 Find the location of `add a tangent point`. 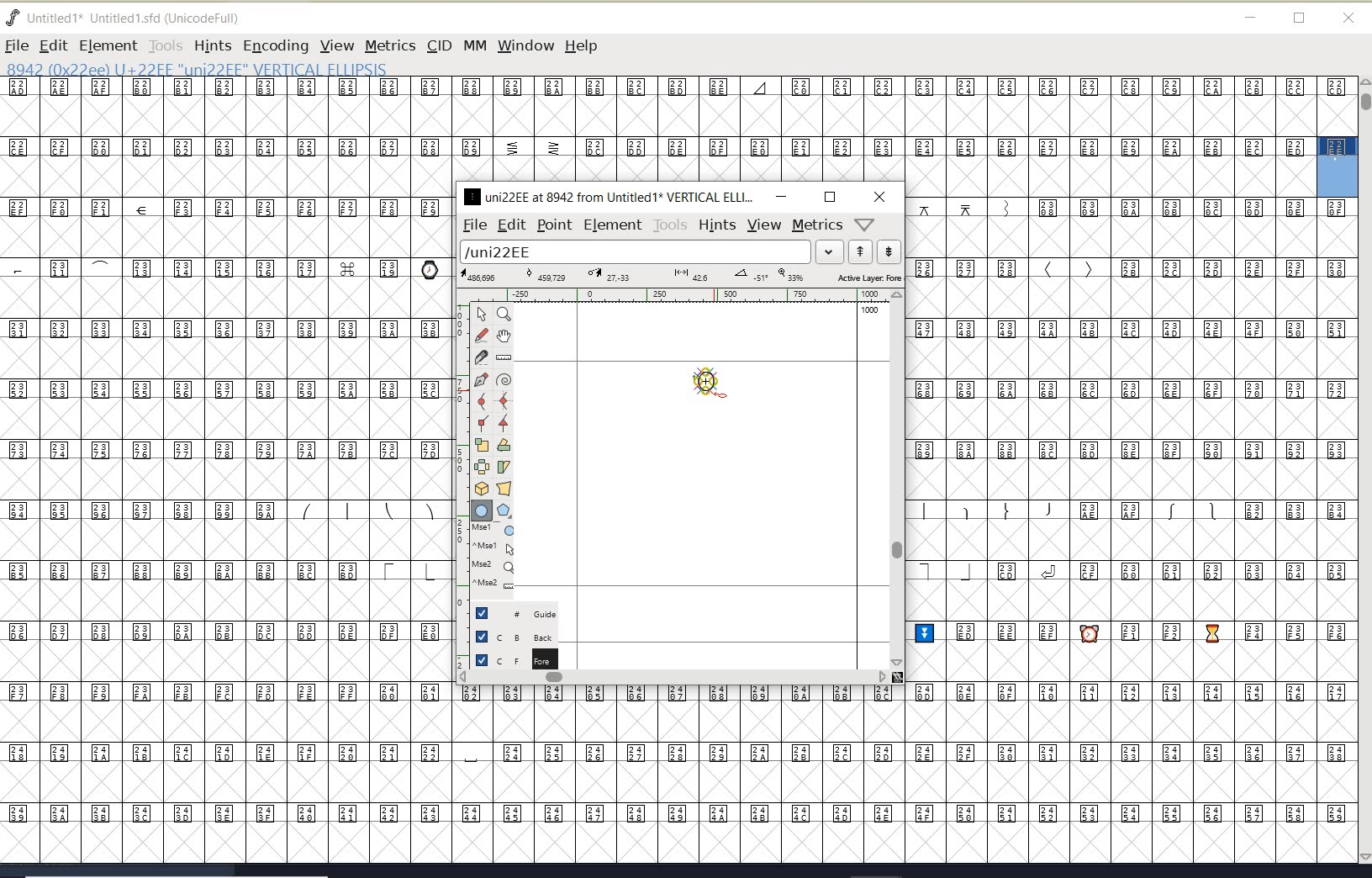

add a tangent point is located at coordinates (502, 420).